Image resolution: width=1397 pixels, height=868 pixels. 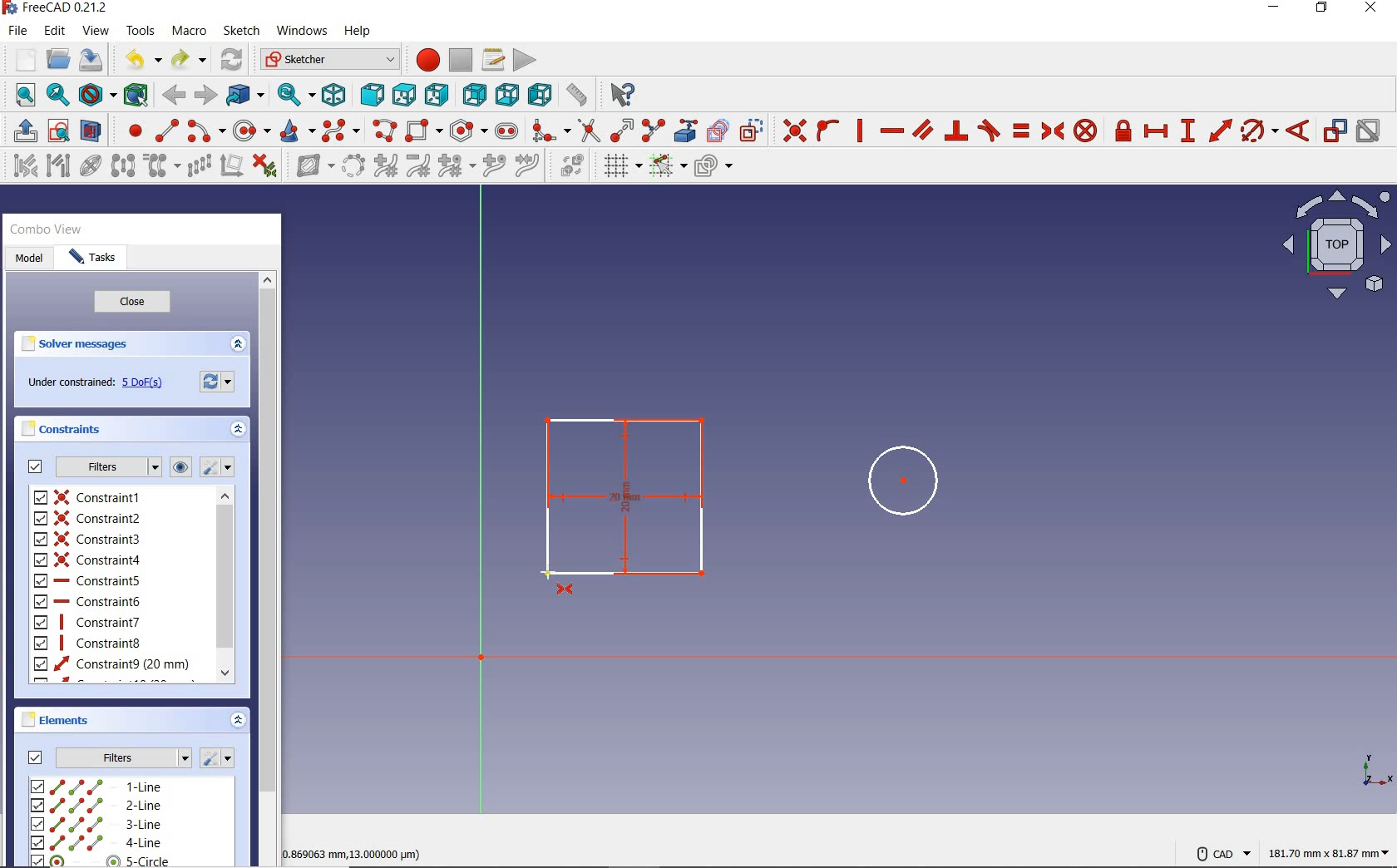 What do you see at coordinates (893, 131) in the screenshot?
I see `constrain horizontally` at bounding box center [893, 131].